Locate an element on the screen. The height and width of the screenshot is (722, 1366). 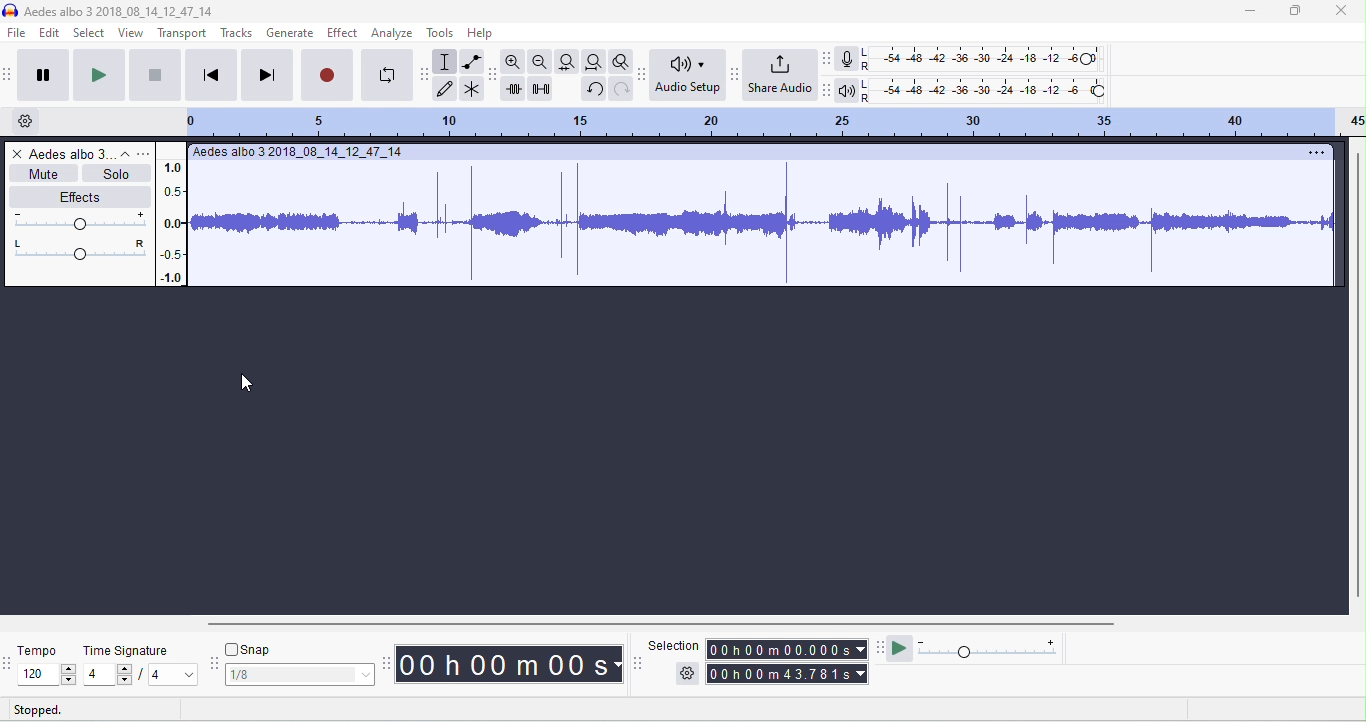
recording level is located at coordinates (991, 60).